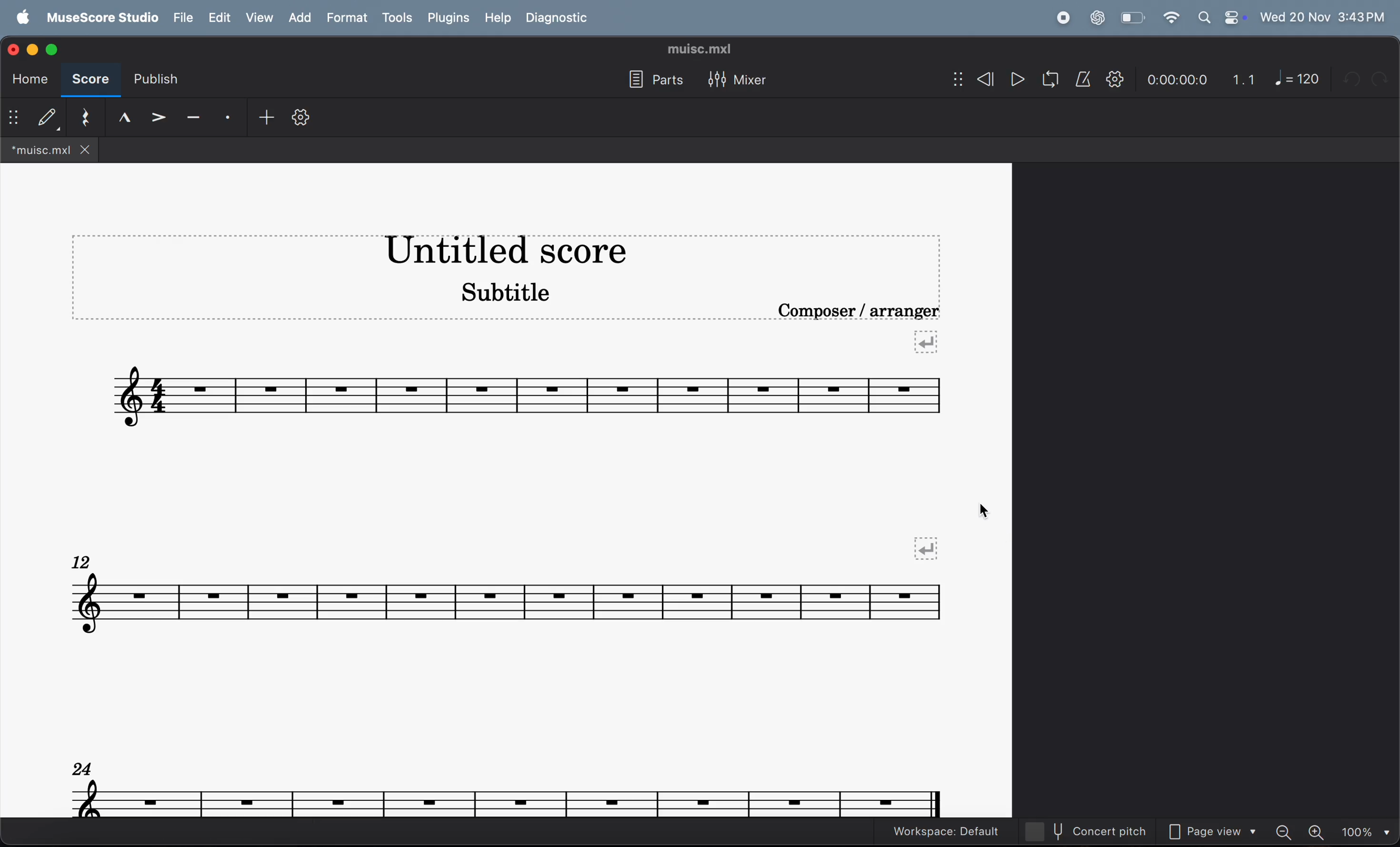 This screenshot has width=1400, height=847. Describe the element at coordinates (160, 77) in the screenshot. I see `publish` at that location.